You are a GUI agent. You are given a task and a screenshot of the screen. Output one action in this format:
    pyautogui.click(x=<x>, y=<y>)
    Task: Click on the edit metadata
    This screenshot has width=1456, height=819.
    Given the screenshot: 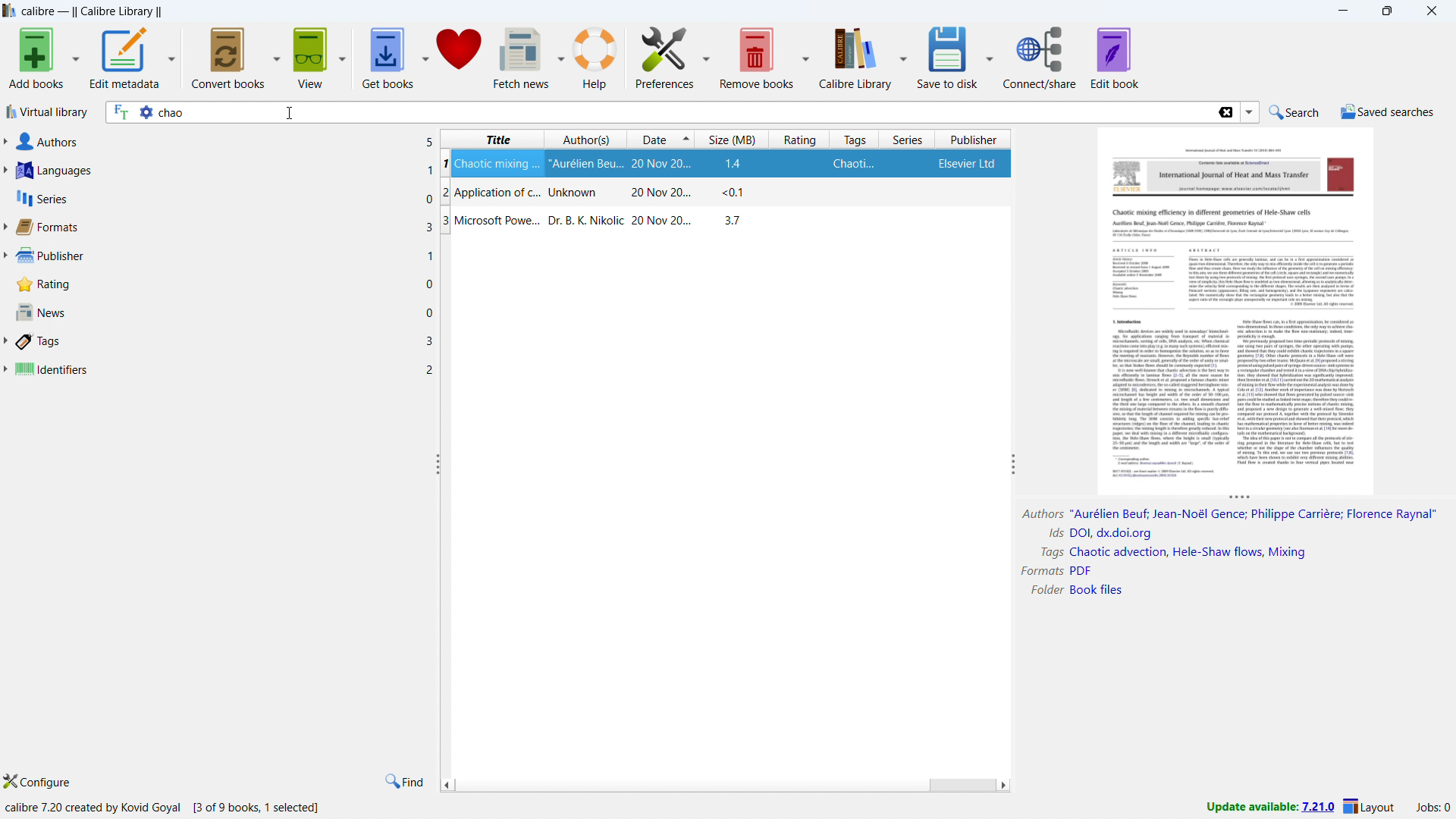 What is the action you would take?
    pyautogui.click(x=124, y=58)
    